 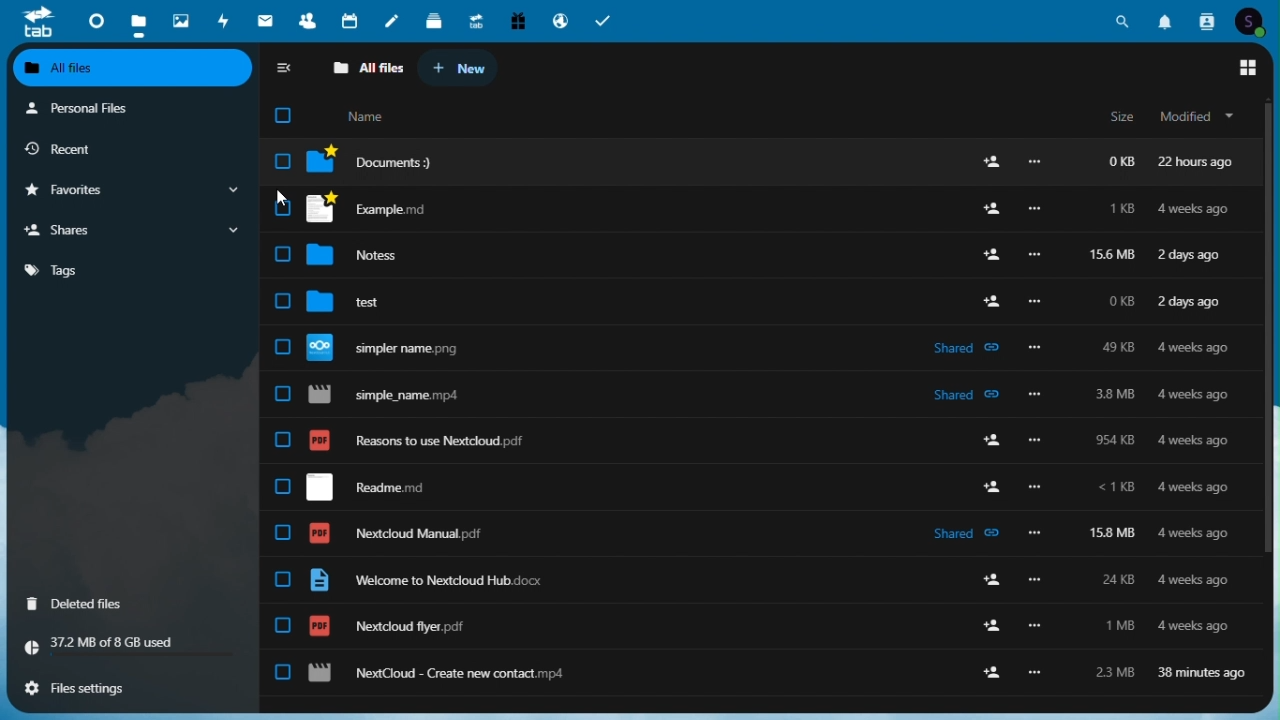 I want to click on more options, so click(x=1037, y=301).